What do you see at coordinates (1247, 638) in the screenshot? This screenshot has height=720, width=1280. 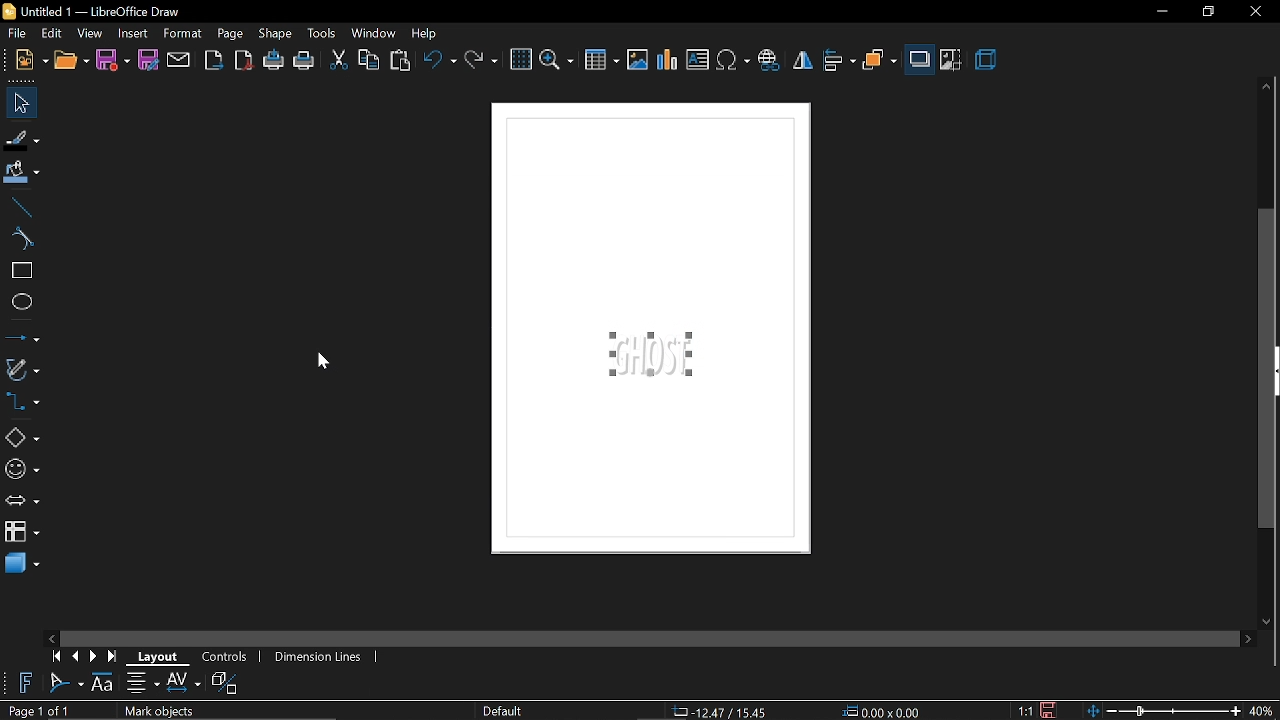 I see `move right` at bounding box center [1247, 638].